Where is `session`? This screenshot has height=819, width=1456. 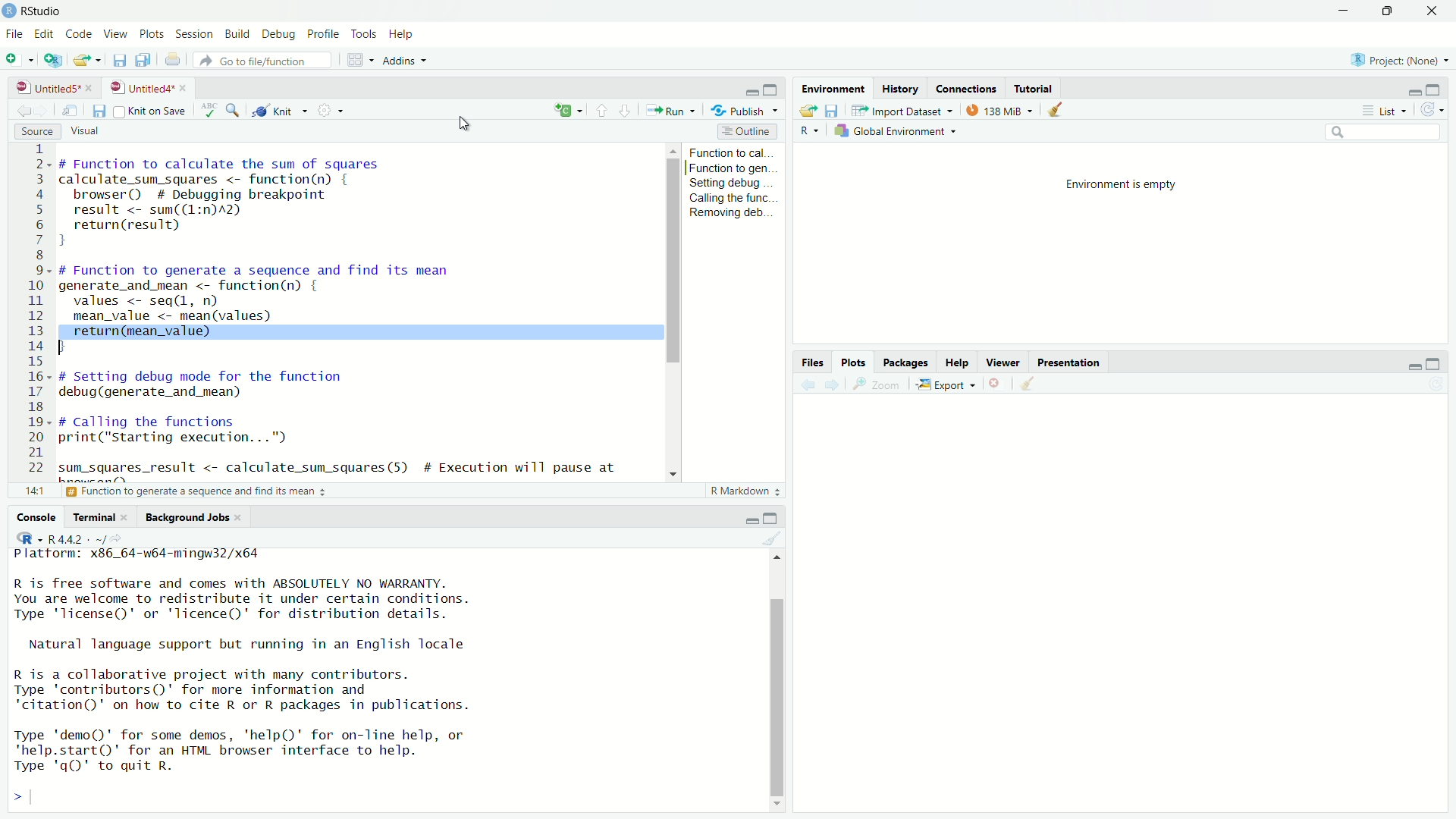
session is located at coordinates (194, 33).